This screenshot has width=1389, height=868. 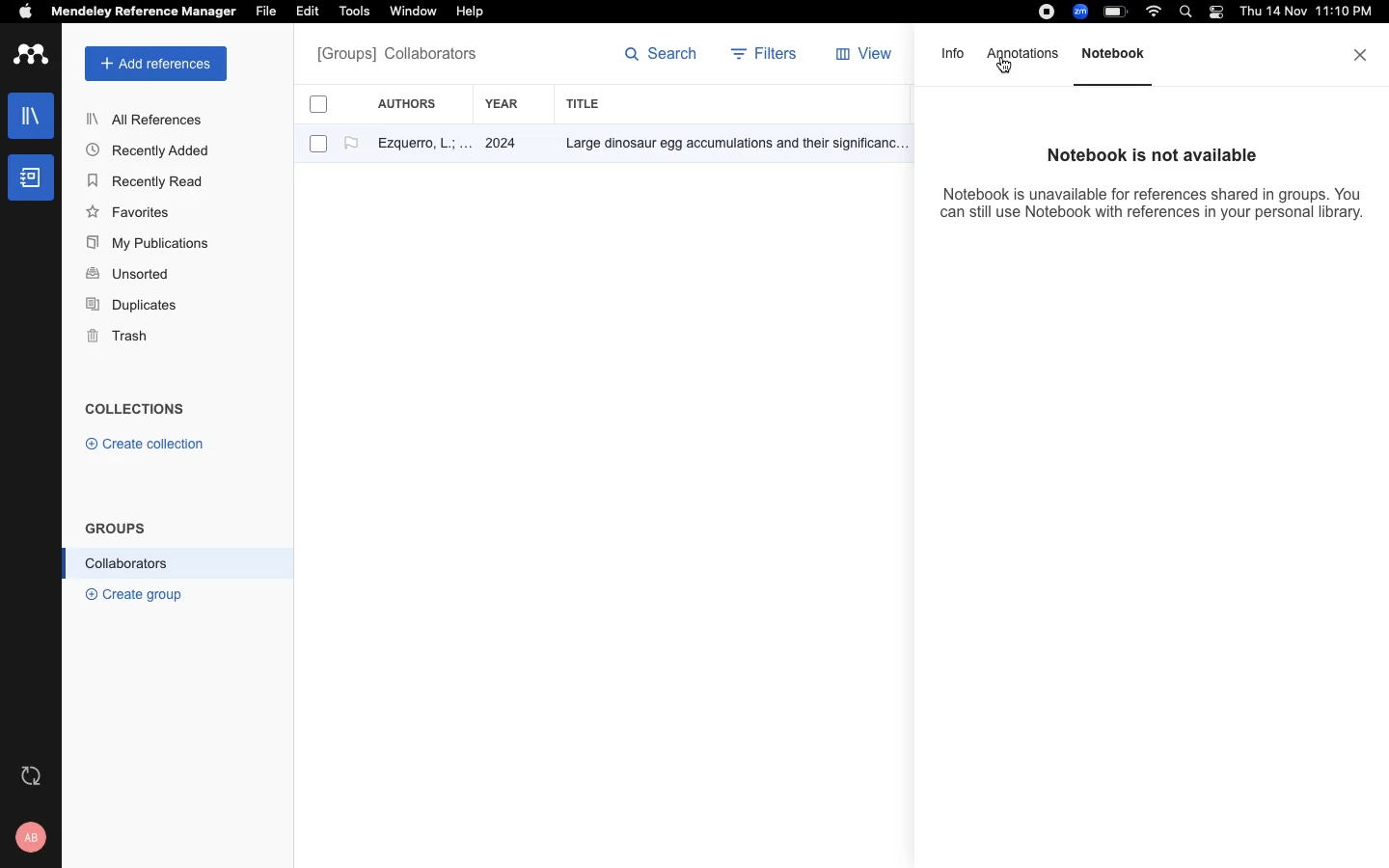 I want to click on checkboxes, so click(x=311, y=127).